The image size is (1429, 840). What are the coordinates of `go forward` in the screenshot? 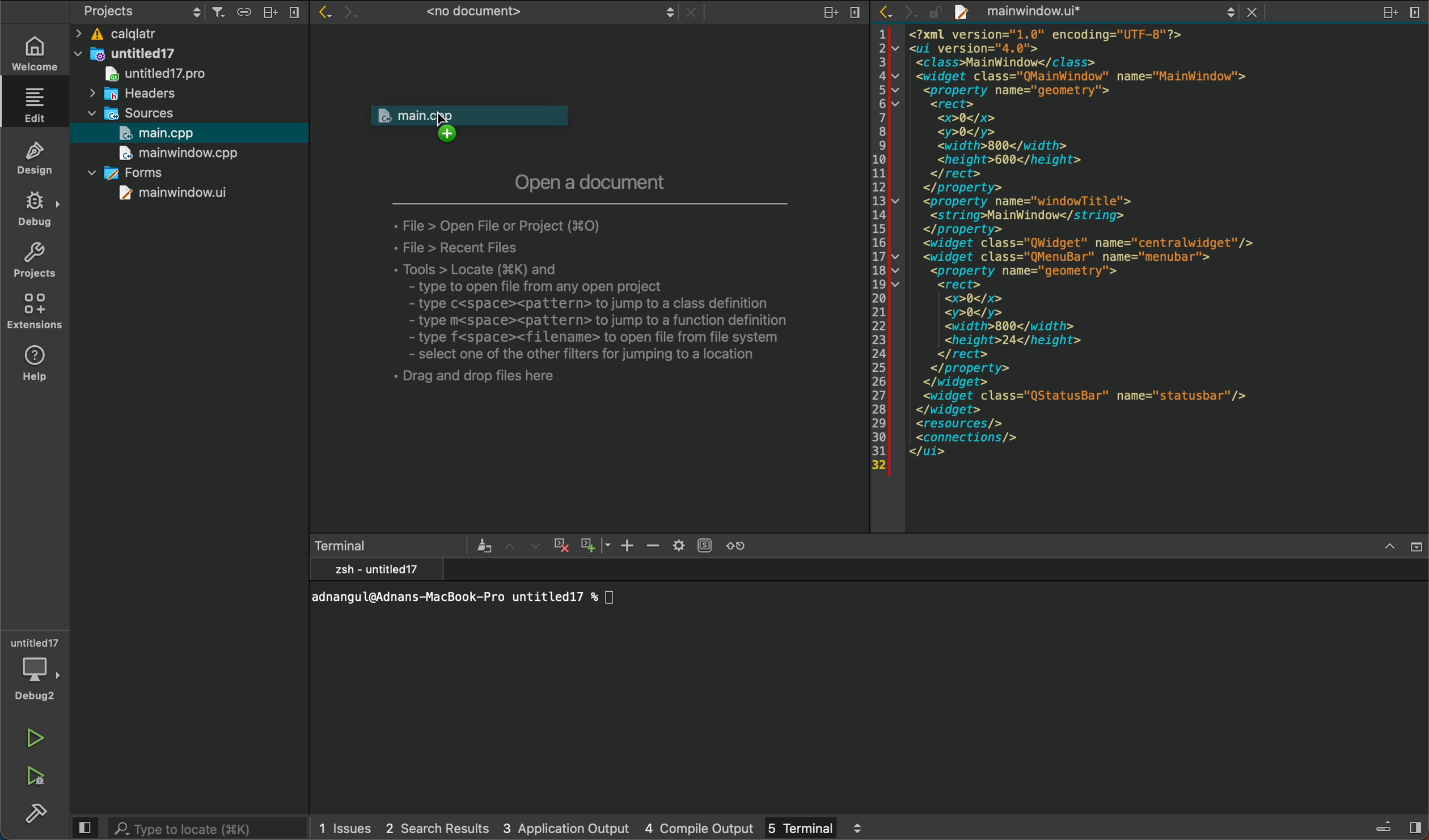 It's located at (909, 12).